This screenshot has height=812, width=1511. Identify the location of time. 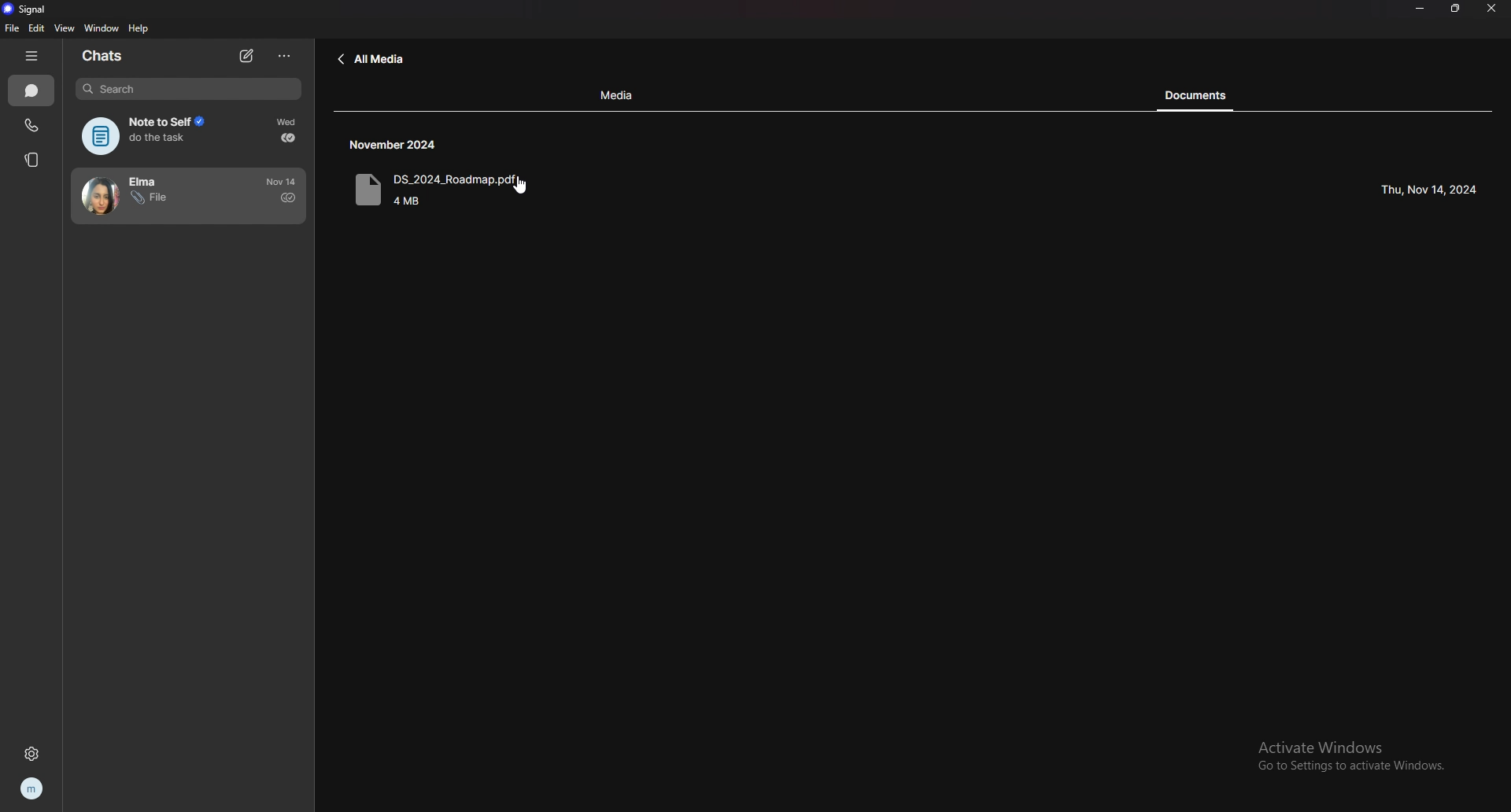
(289, 122).